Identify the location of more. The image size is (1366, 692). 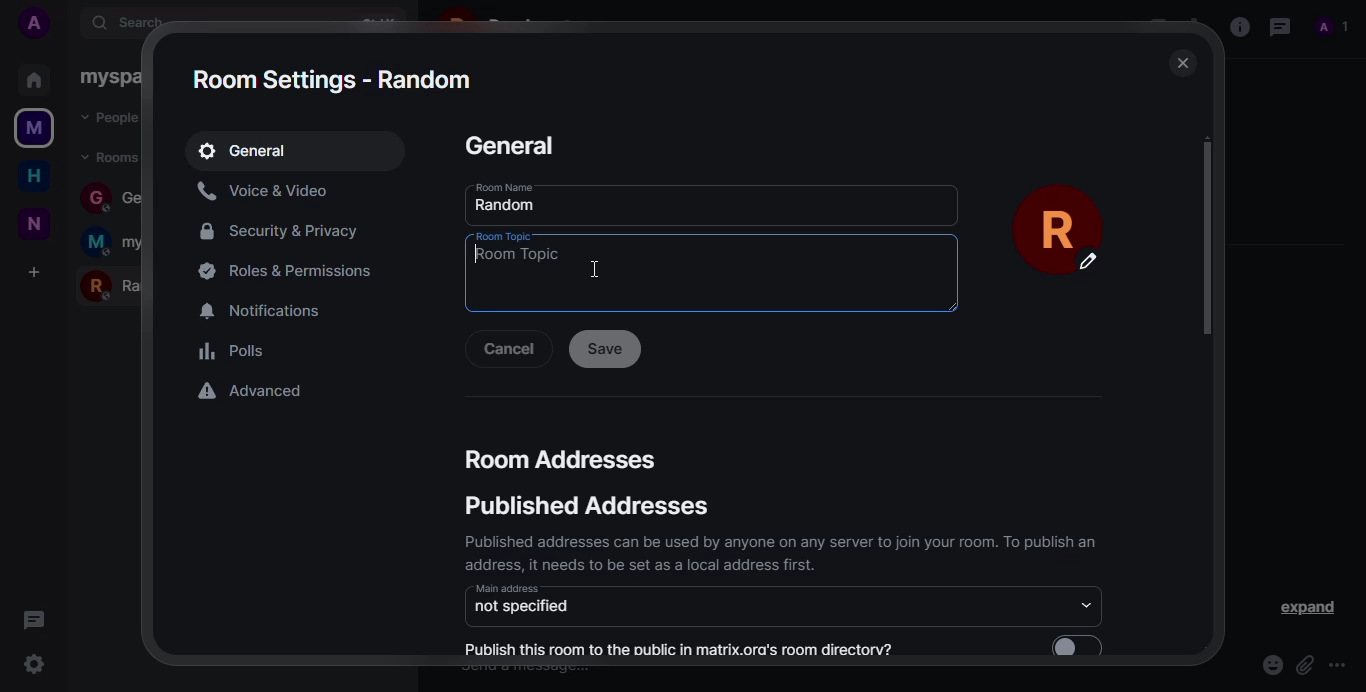
(1337, 666).